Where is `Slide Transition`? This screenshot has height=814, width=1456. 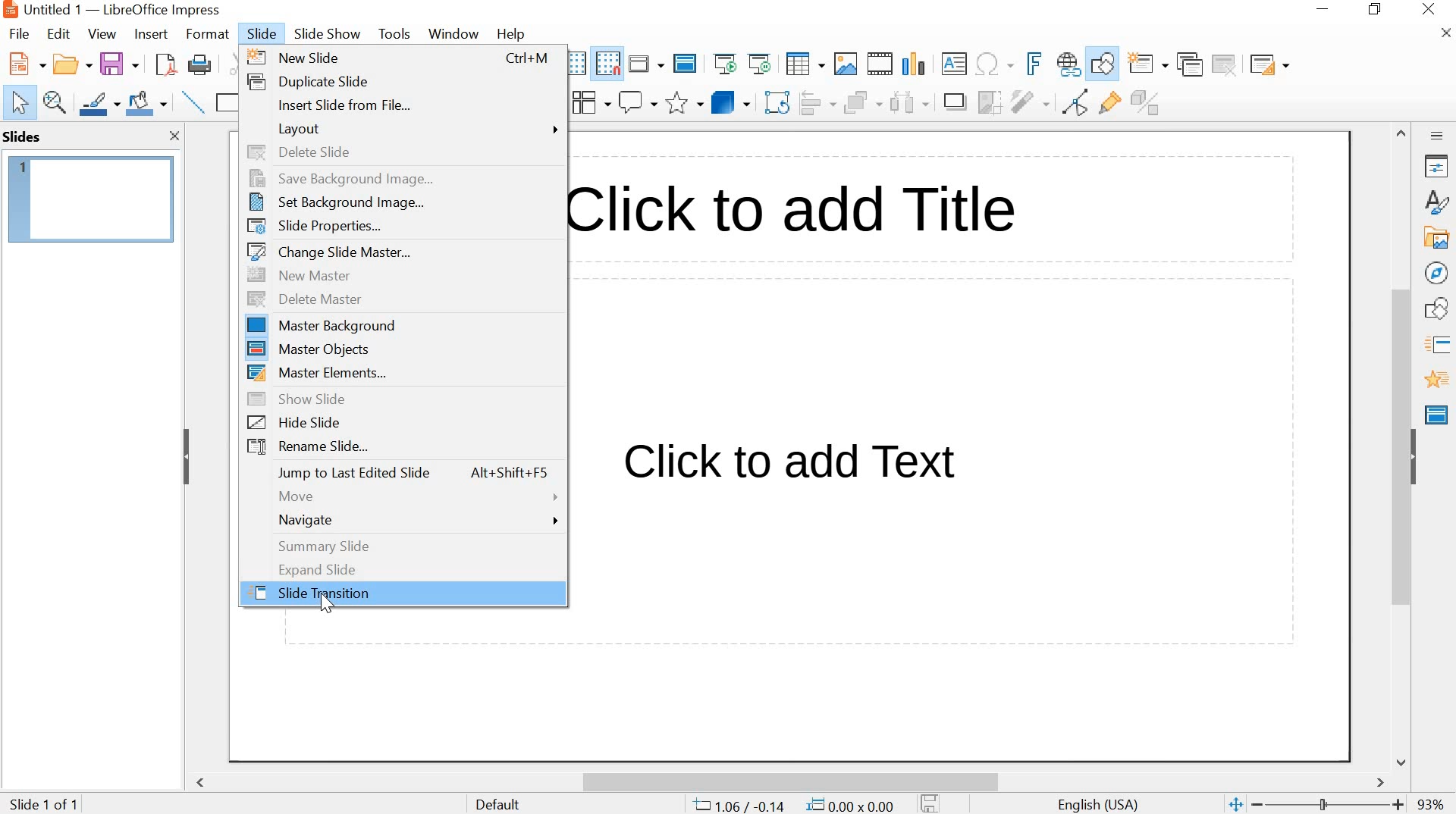 Slide Transition is located at coordinates (1442, 346).